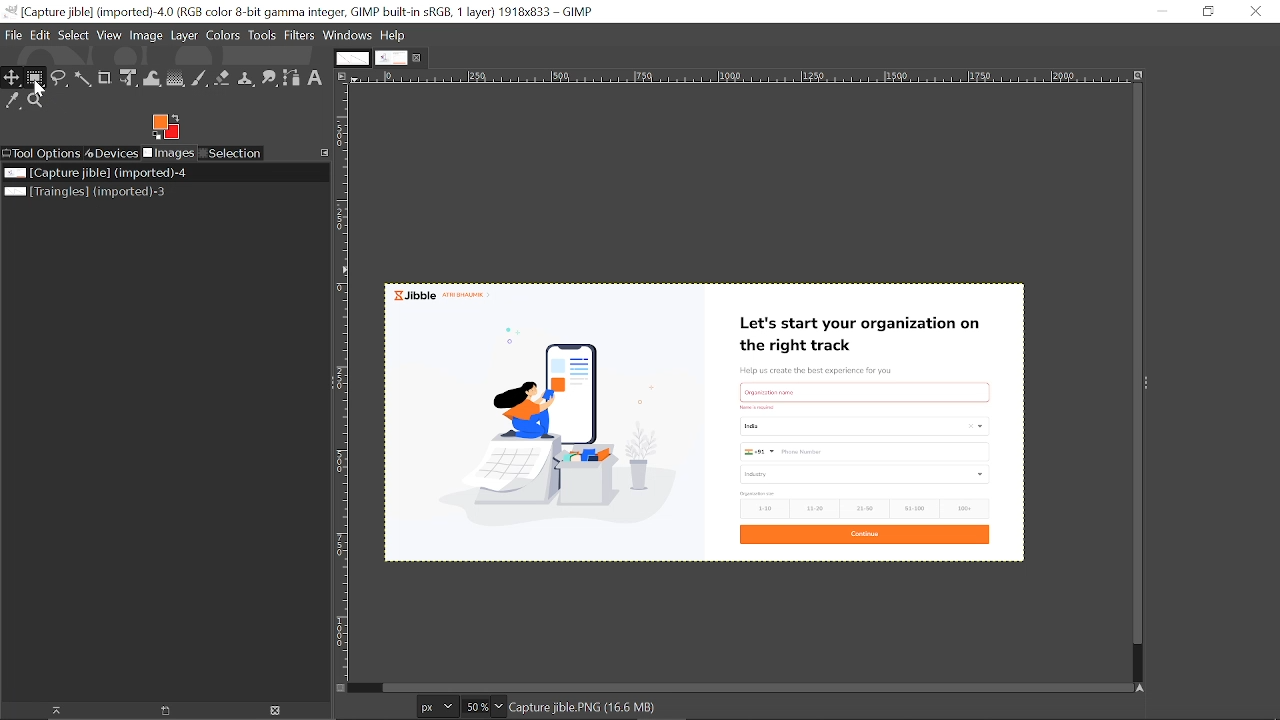  What do you see at coordinates (500, 705) in the screenshot?
I see `Zoom options` at bounding box center [500, 705].